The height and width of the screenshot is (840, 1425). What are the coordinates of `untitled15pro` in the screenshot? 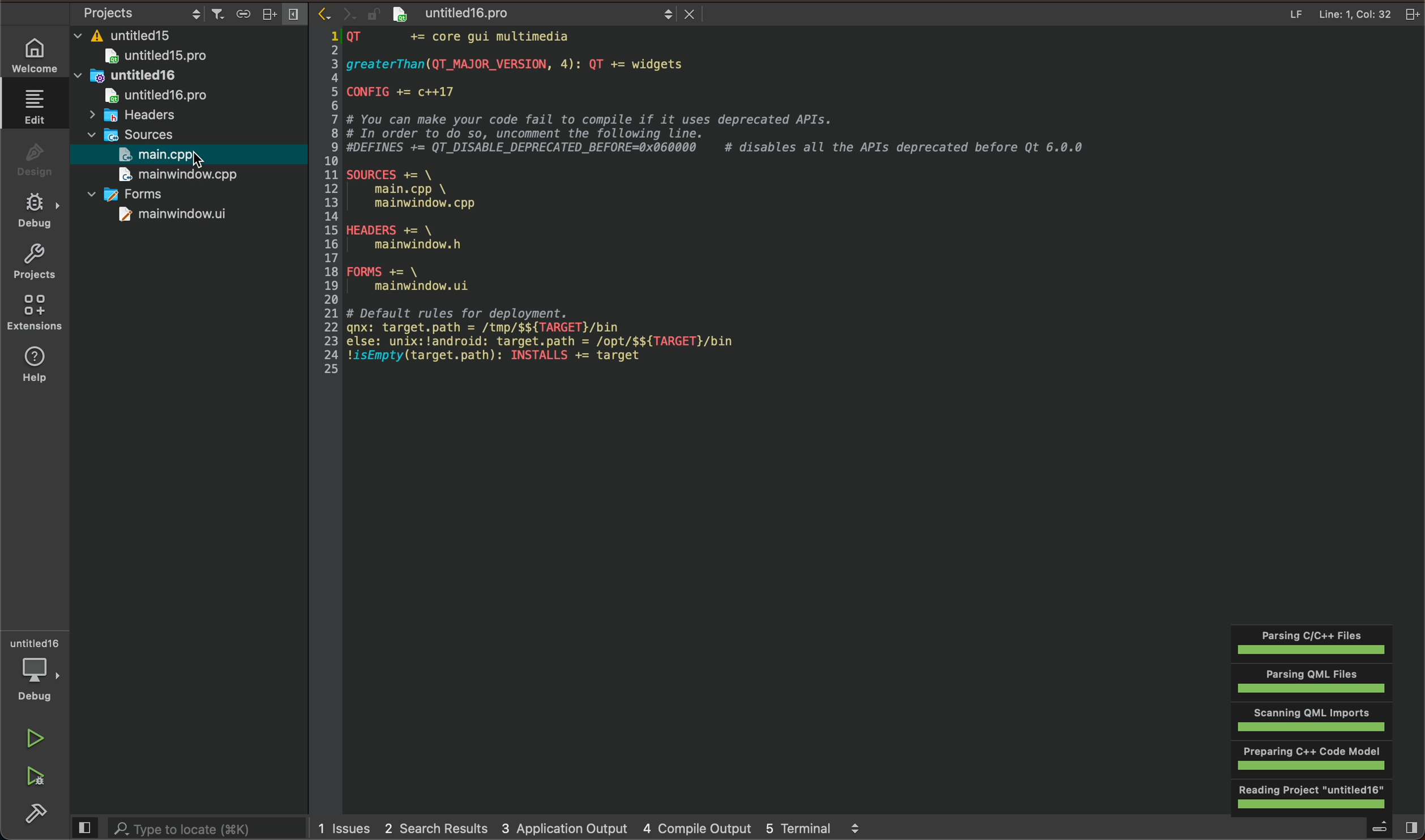 It's located at (164, 57).